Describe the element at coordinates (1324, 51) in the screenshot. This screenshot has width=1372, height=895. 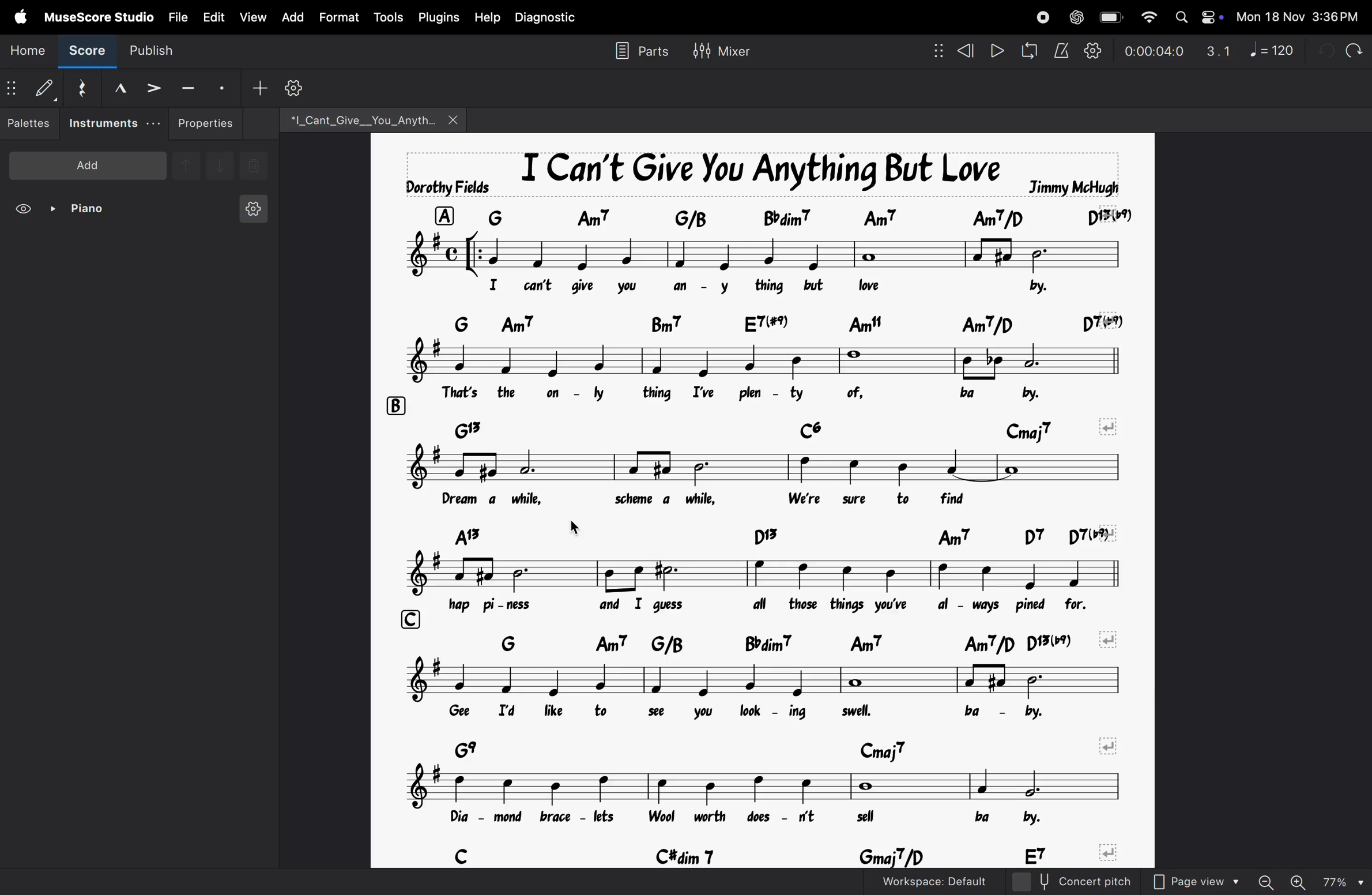
I see `undo` at that location.